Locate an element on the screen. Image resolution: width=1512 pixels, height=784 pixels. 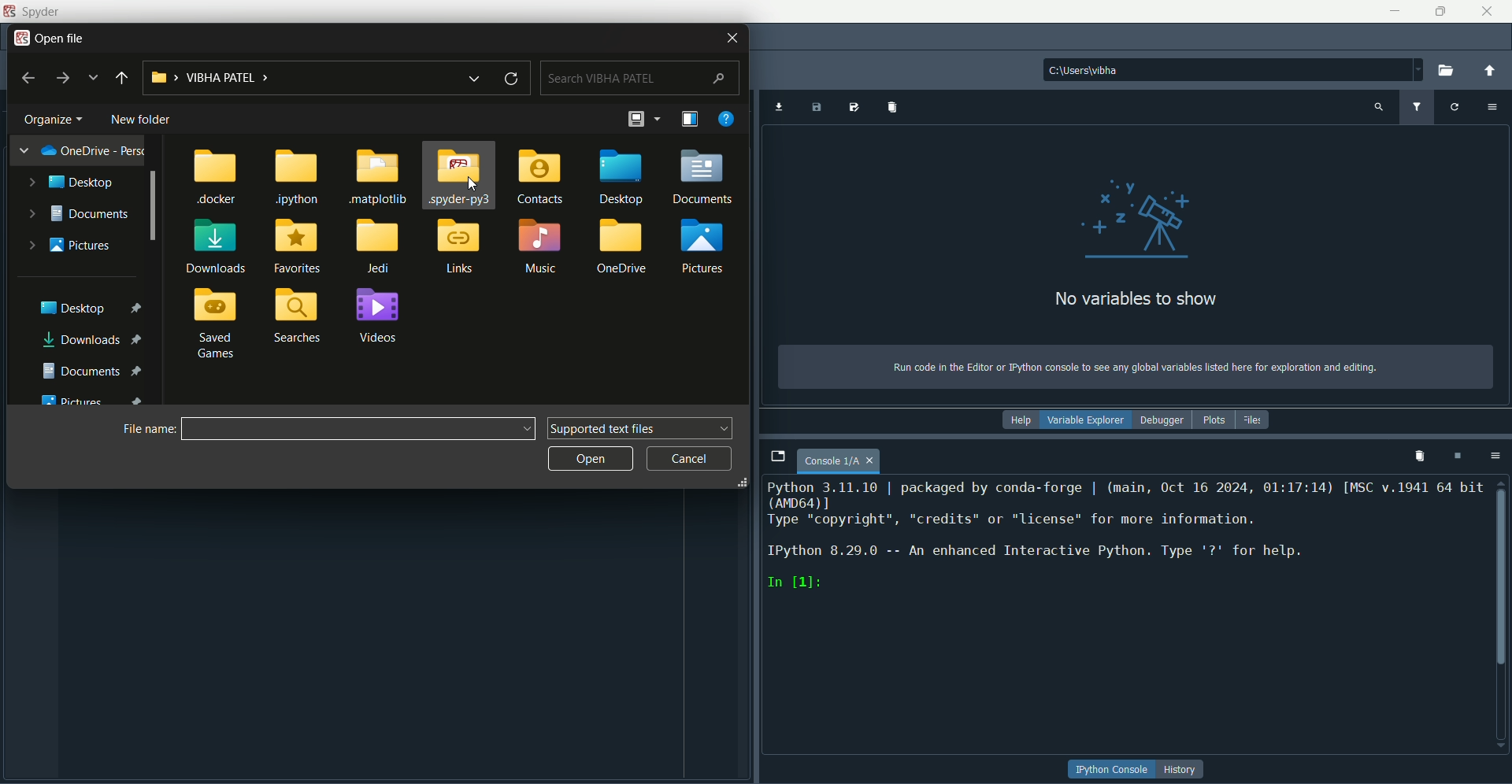
interrupt kernel is located at coordinates (1459, 457).